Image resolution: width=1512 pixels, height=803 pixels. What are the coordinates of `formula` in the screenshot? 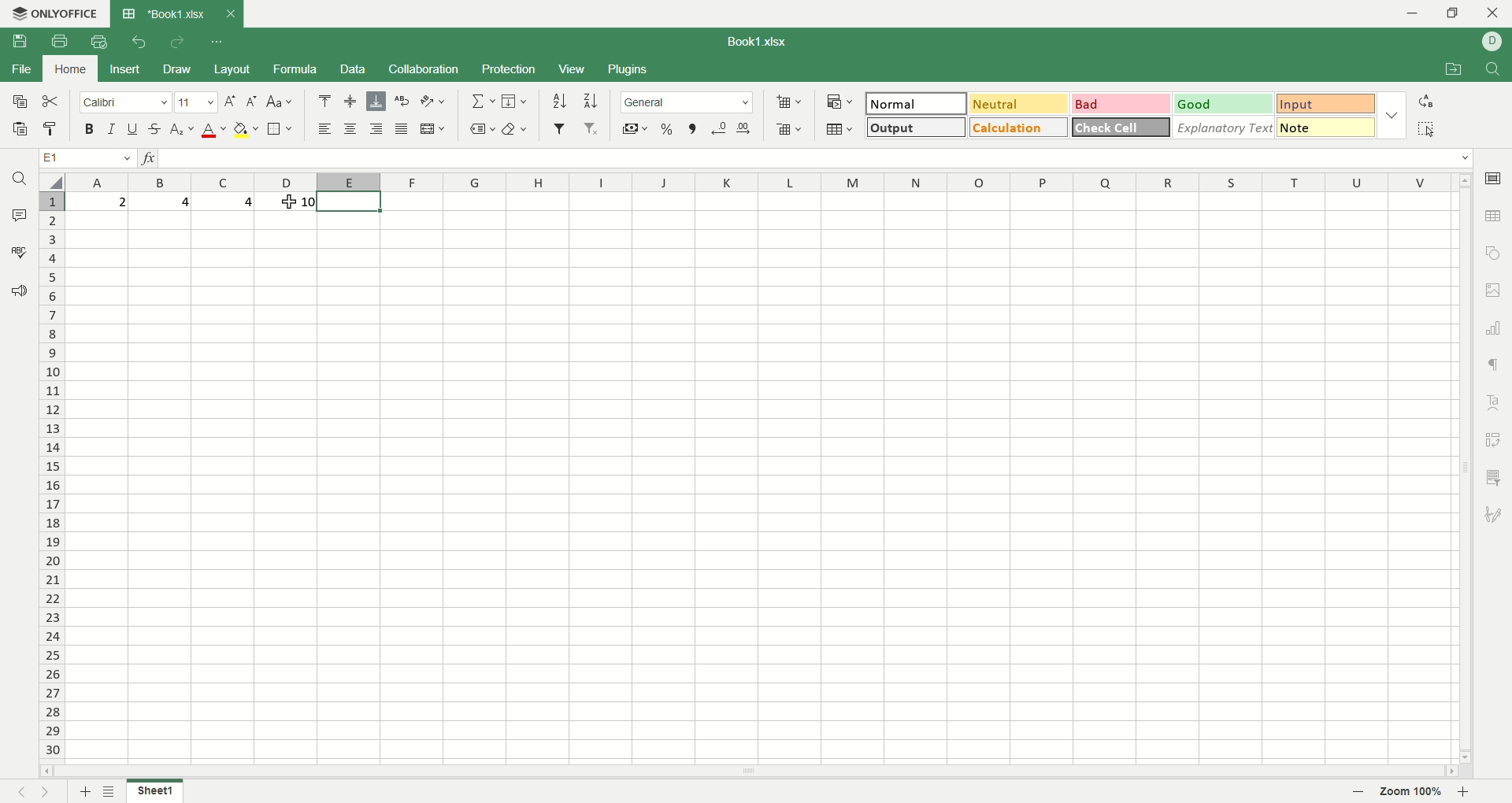 It's located at (295, 68).